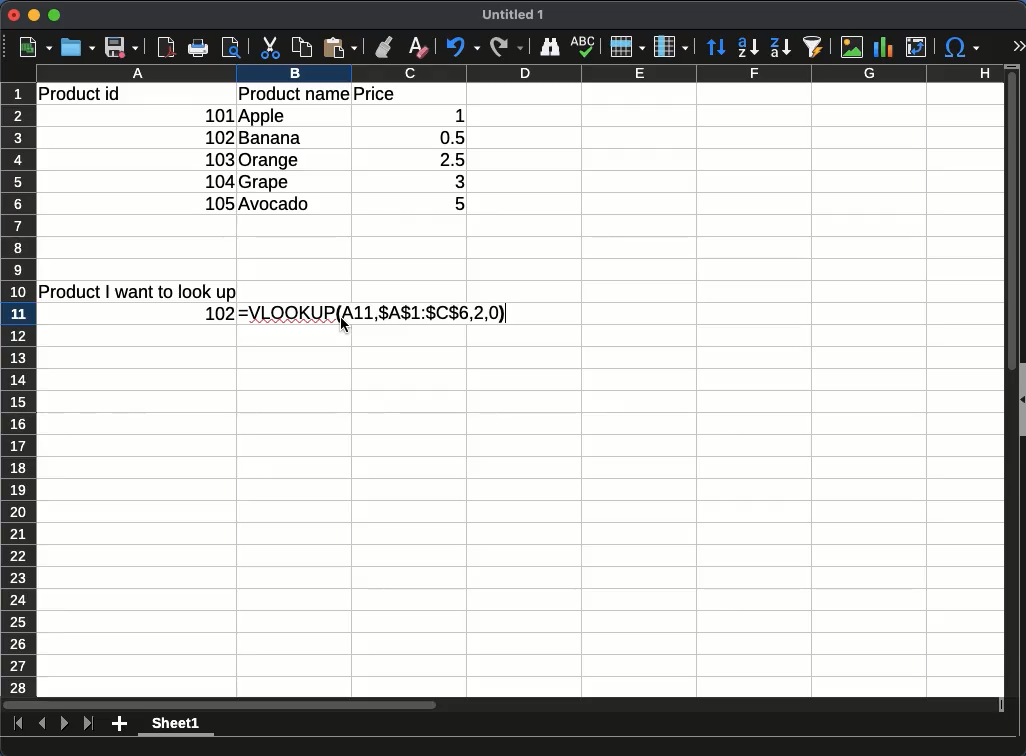  I want to click on previous sheet, so click(42, 724).